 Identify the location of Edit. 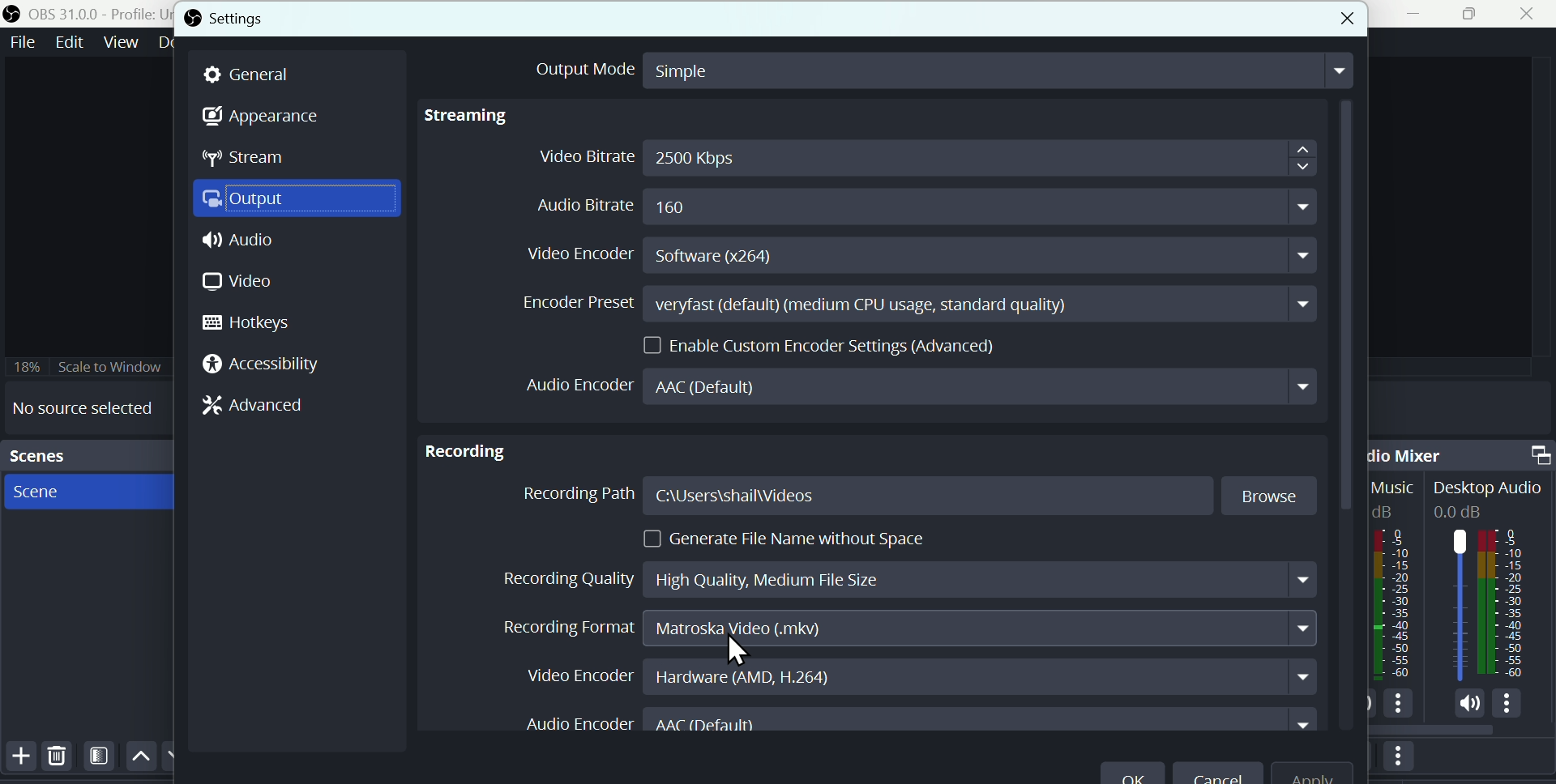
(69, 44).